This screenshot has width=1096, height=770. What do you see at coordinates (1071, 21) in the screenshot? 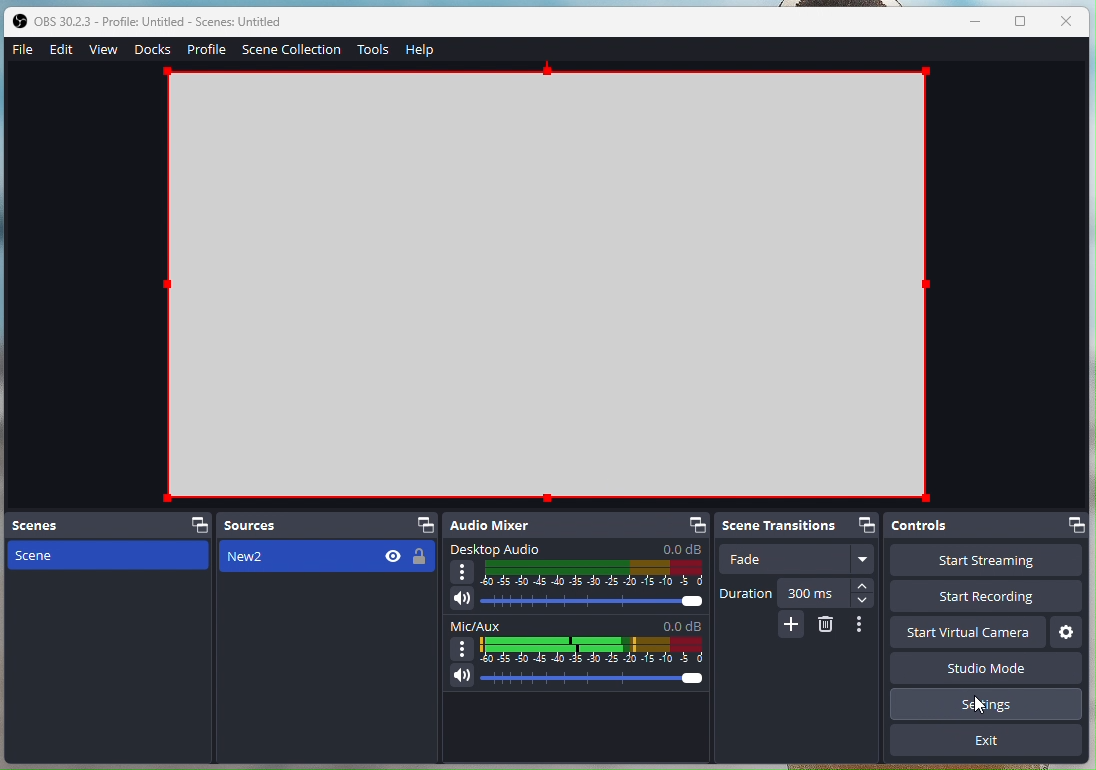
I see `close` at bounding box center [1071, 21].